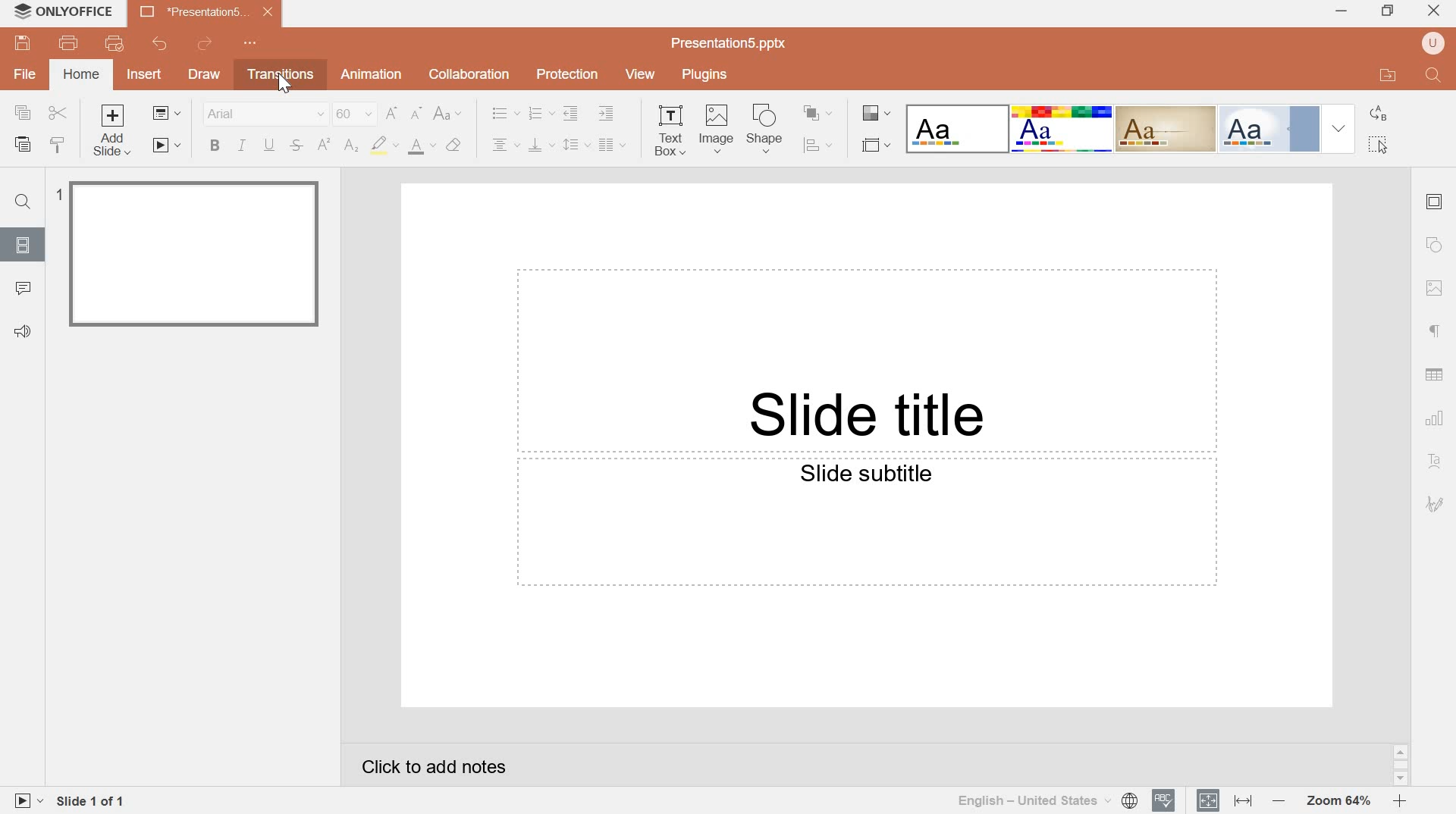 The width and height of the screenshot is (1456, 814). I want to click on spell checking, so click(1164, 800).